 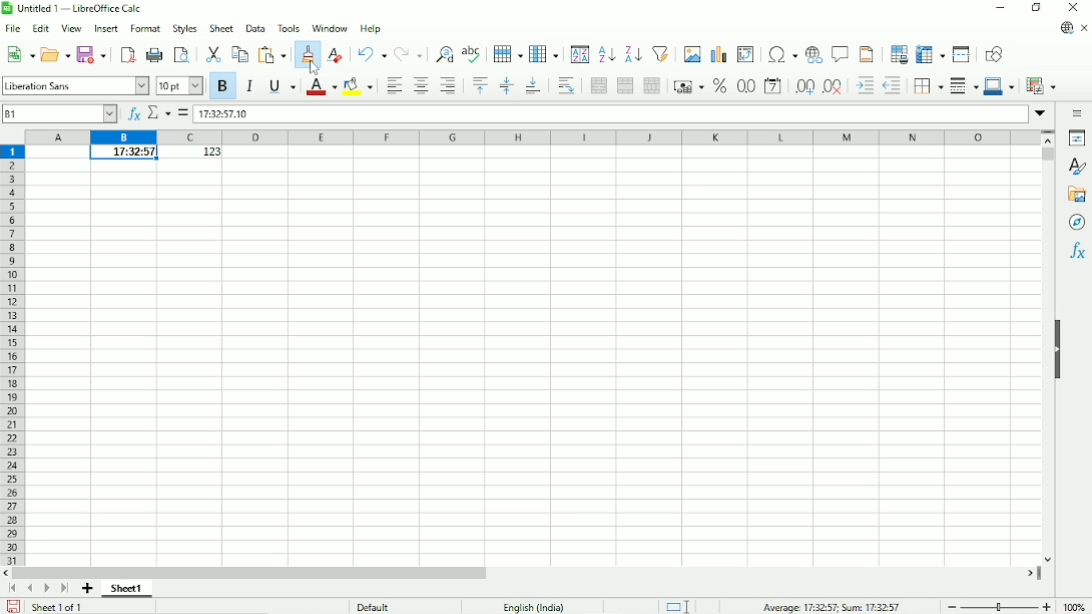 What do you see at coordinates (1000, 87) in the screenshot?
I see `Border color` at bounding box center [1000, 87].